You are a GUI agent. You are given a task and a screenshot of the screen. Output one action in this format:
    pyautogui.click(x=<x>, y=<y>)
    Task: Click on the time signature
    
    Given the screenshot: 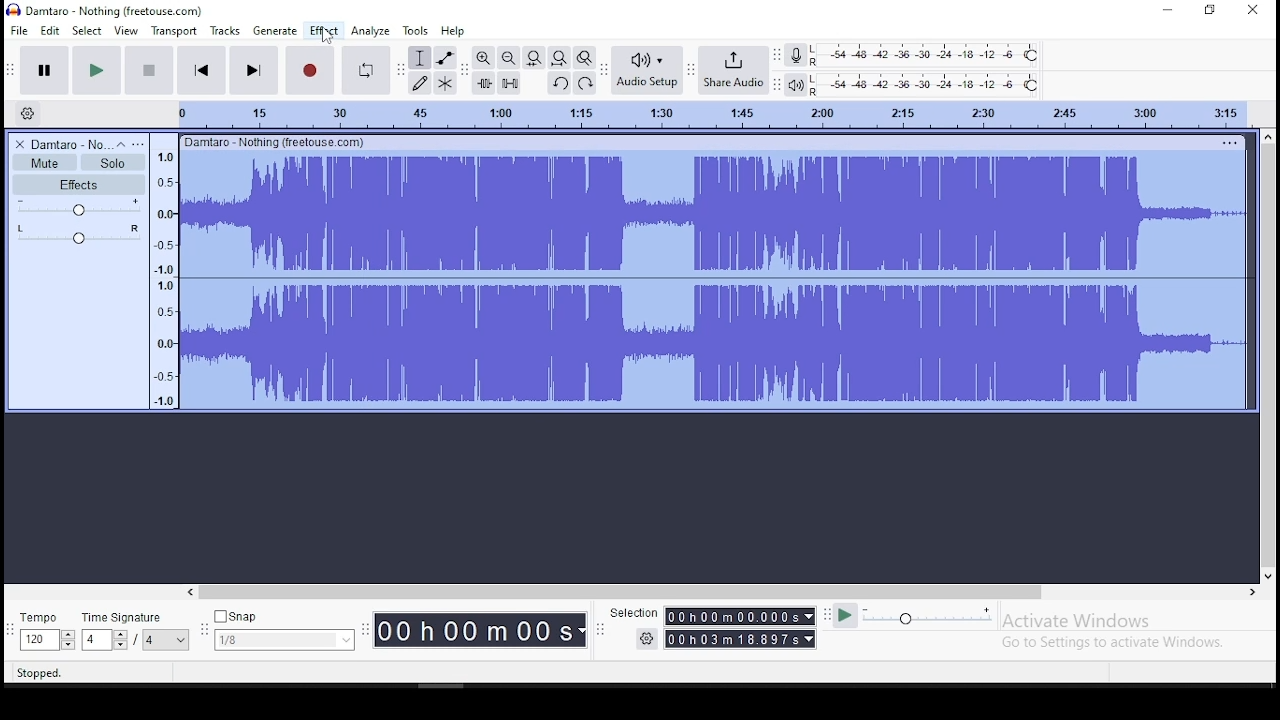 What is the action you would take?
    pyautogui.click(x=133, y=615)
    